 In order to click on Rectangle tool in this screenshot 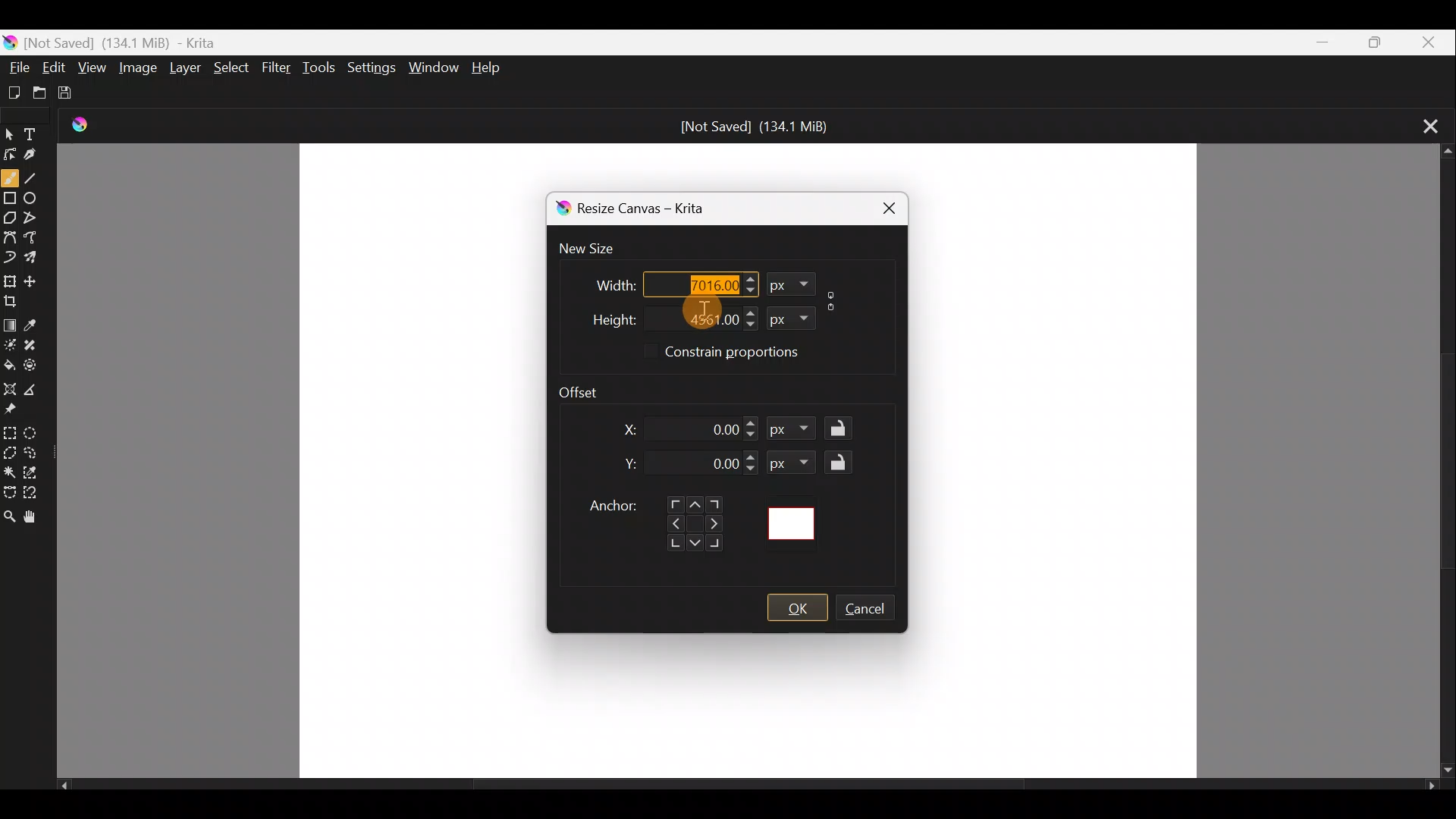, I will do `click(11, 200)`.